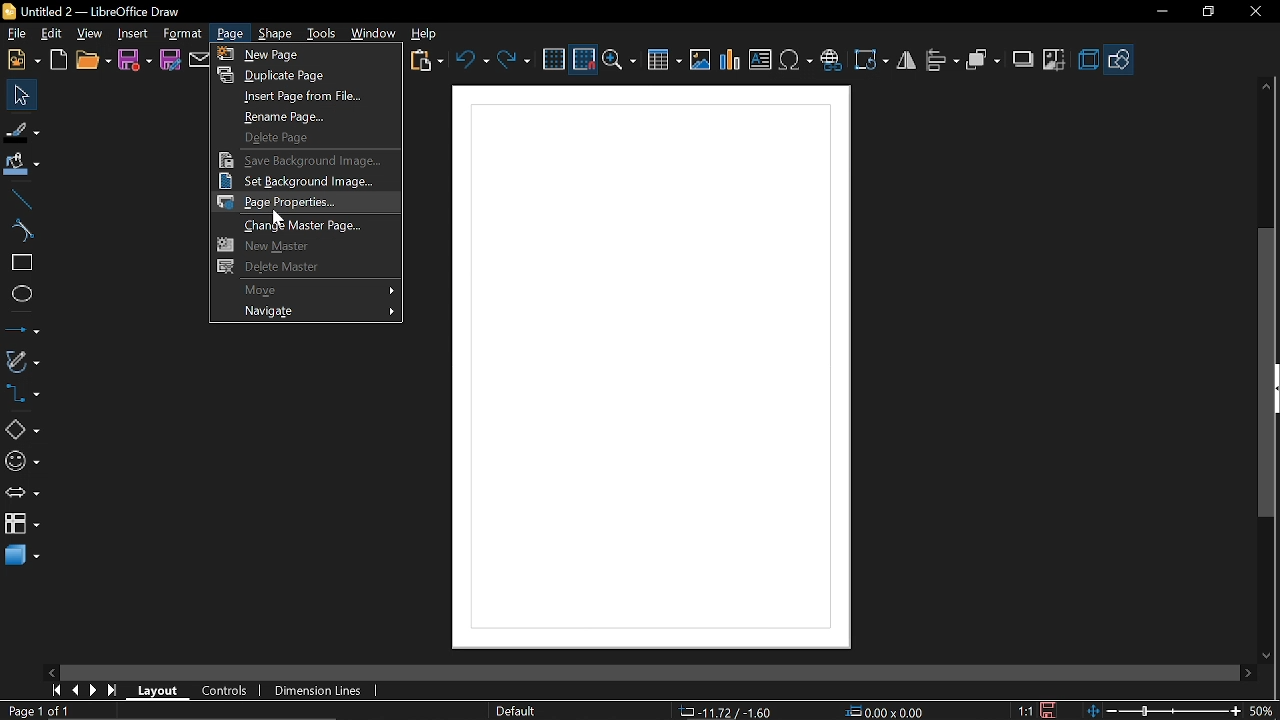  What do you see at coordinates (1088, 60) in the screenshot?
I see `3d effects` at bounding box center [1088, 60].